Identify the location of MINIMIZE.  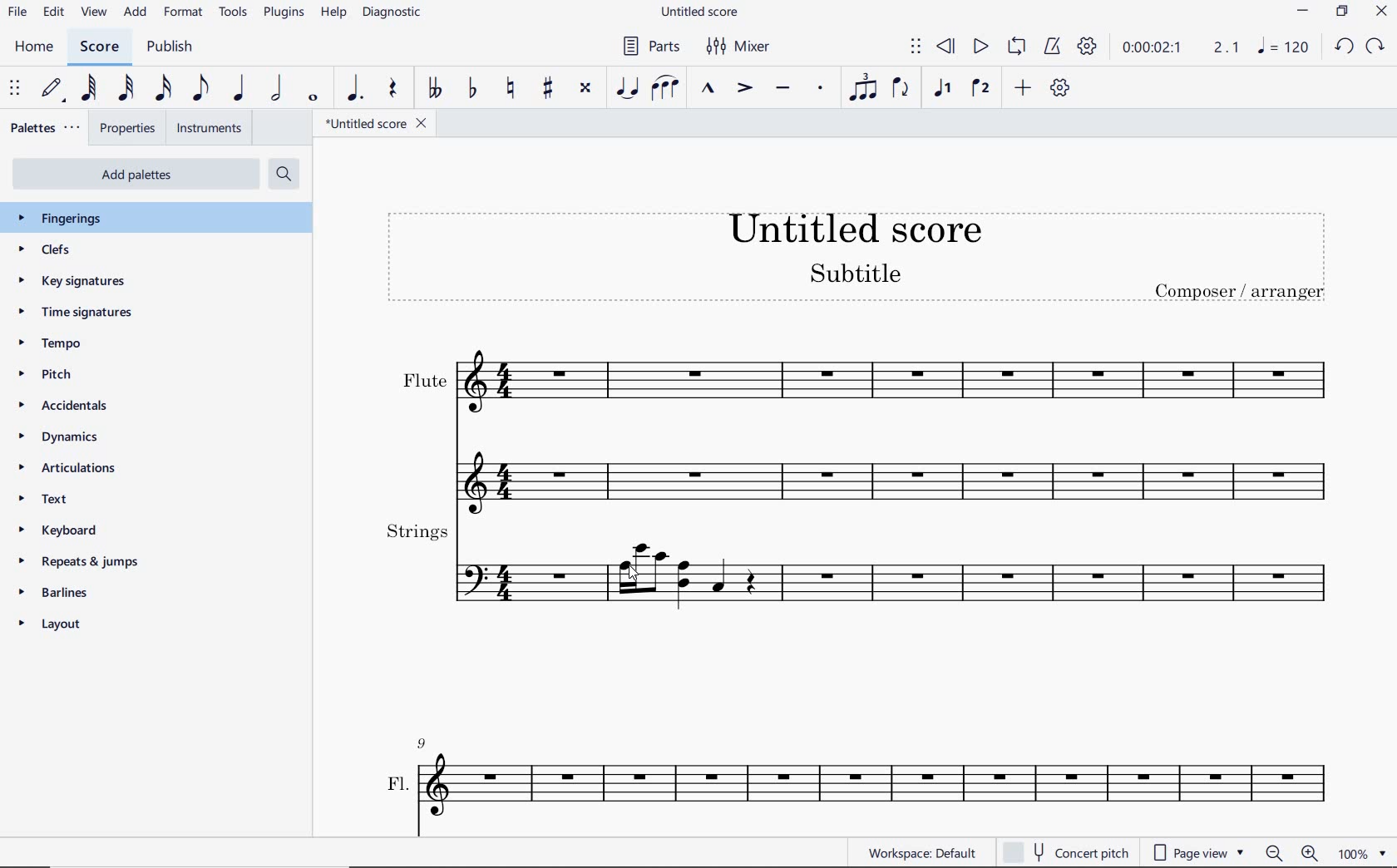
(1301, 12).